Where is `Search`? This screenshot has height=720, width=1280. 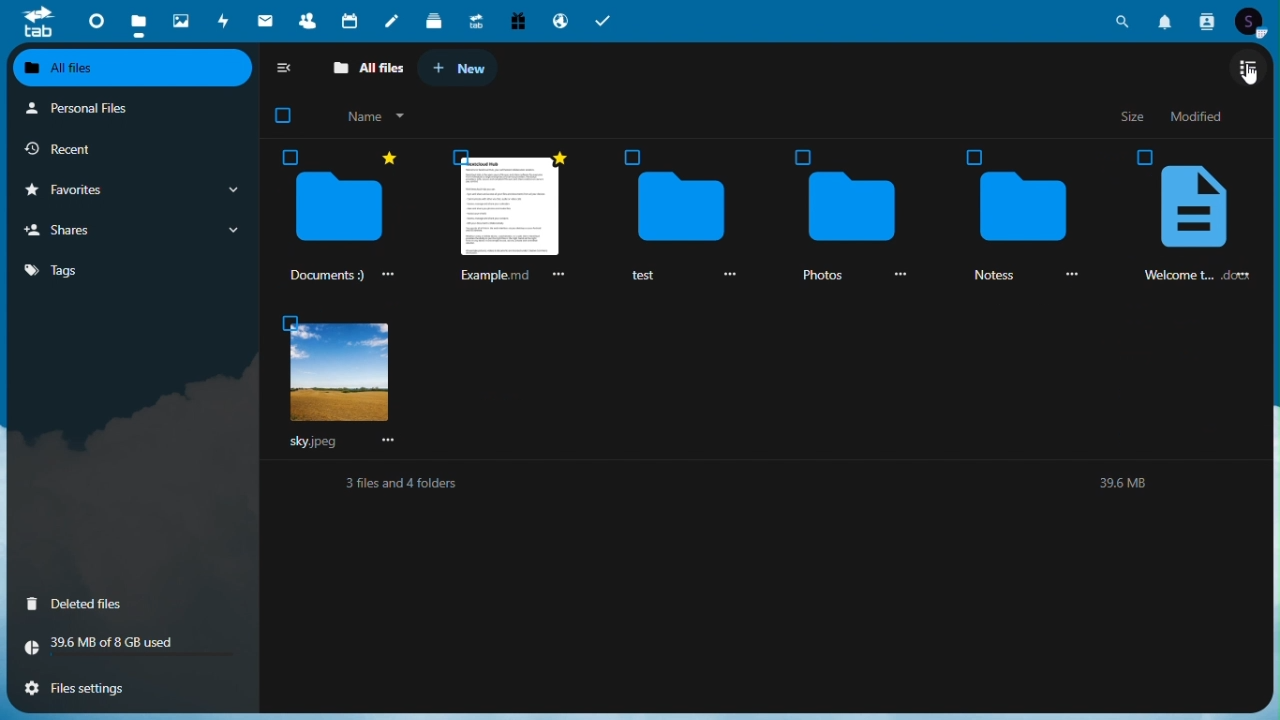
Search is located at coordinates (1127, 19).